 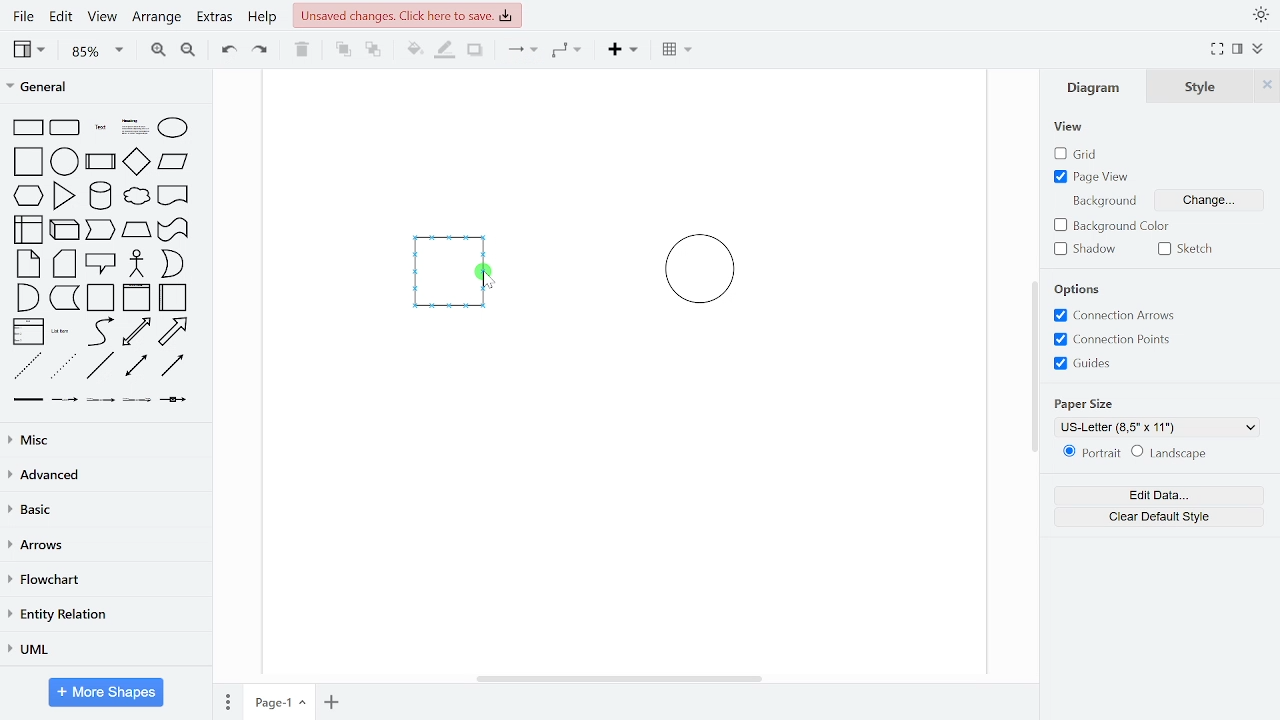 I want to click on shadow, so click(x=476, y=51).